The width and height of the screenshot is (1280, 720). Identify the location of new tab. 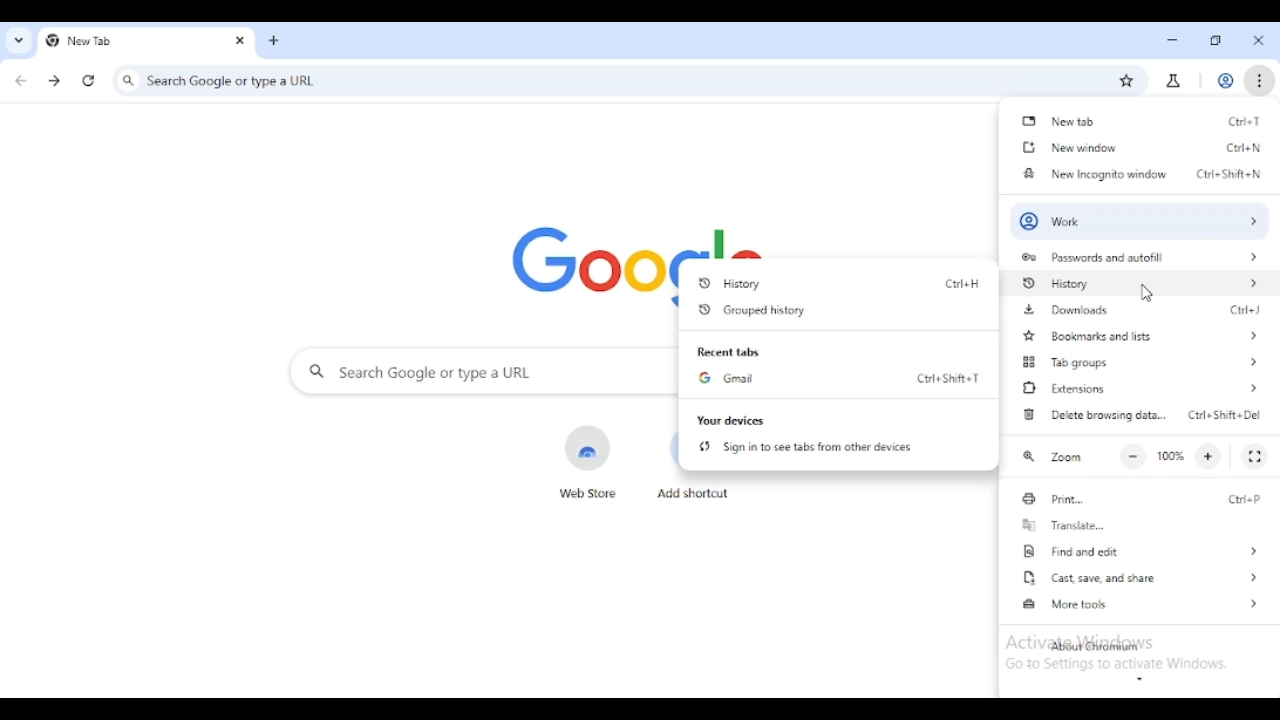
(1058, 120).